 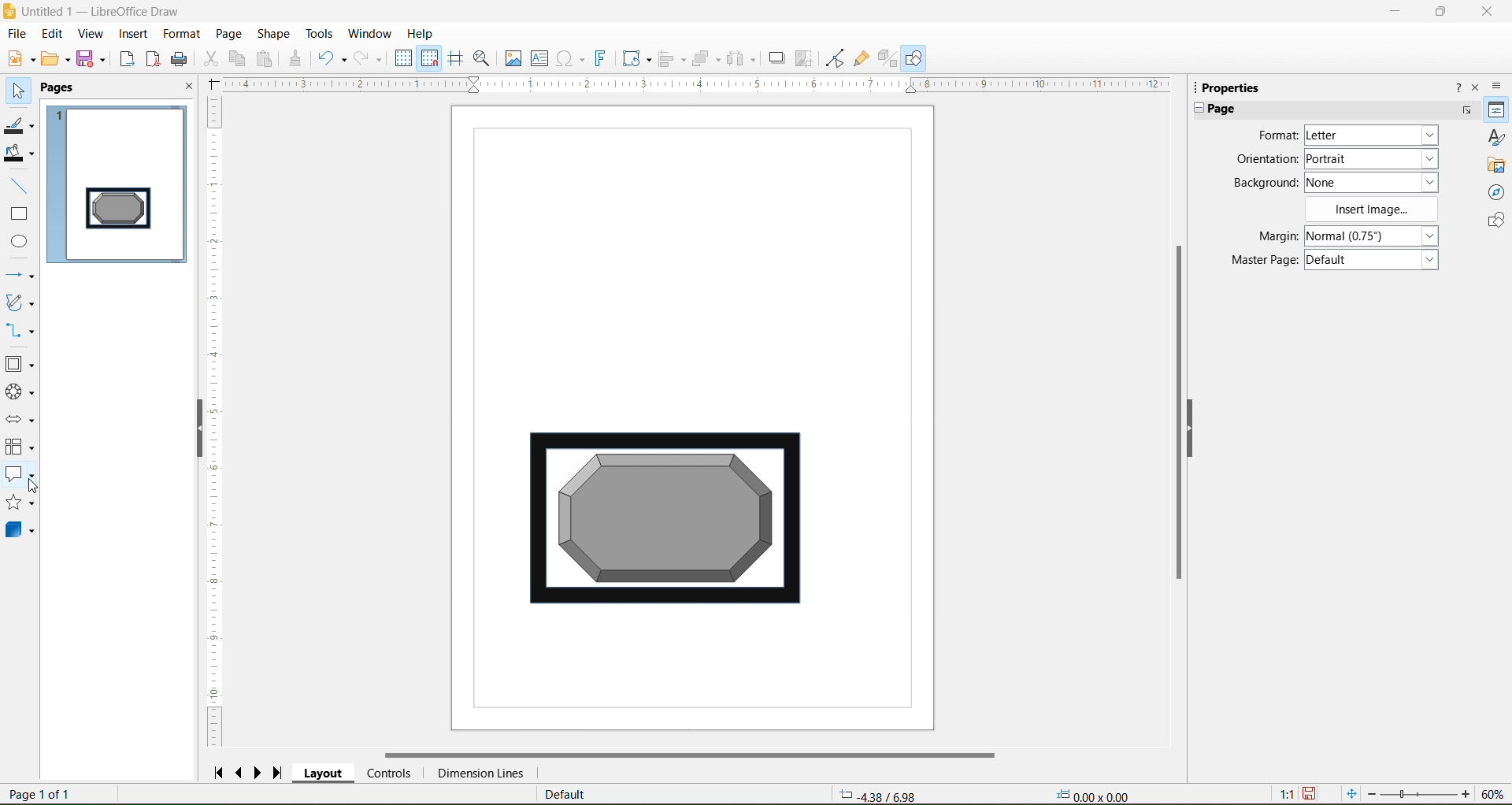 What do you see at coordinates (1499, 85) in the screenshot?
I see `Sidebar settings` at bounding box center [1499, 85].